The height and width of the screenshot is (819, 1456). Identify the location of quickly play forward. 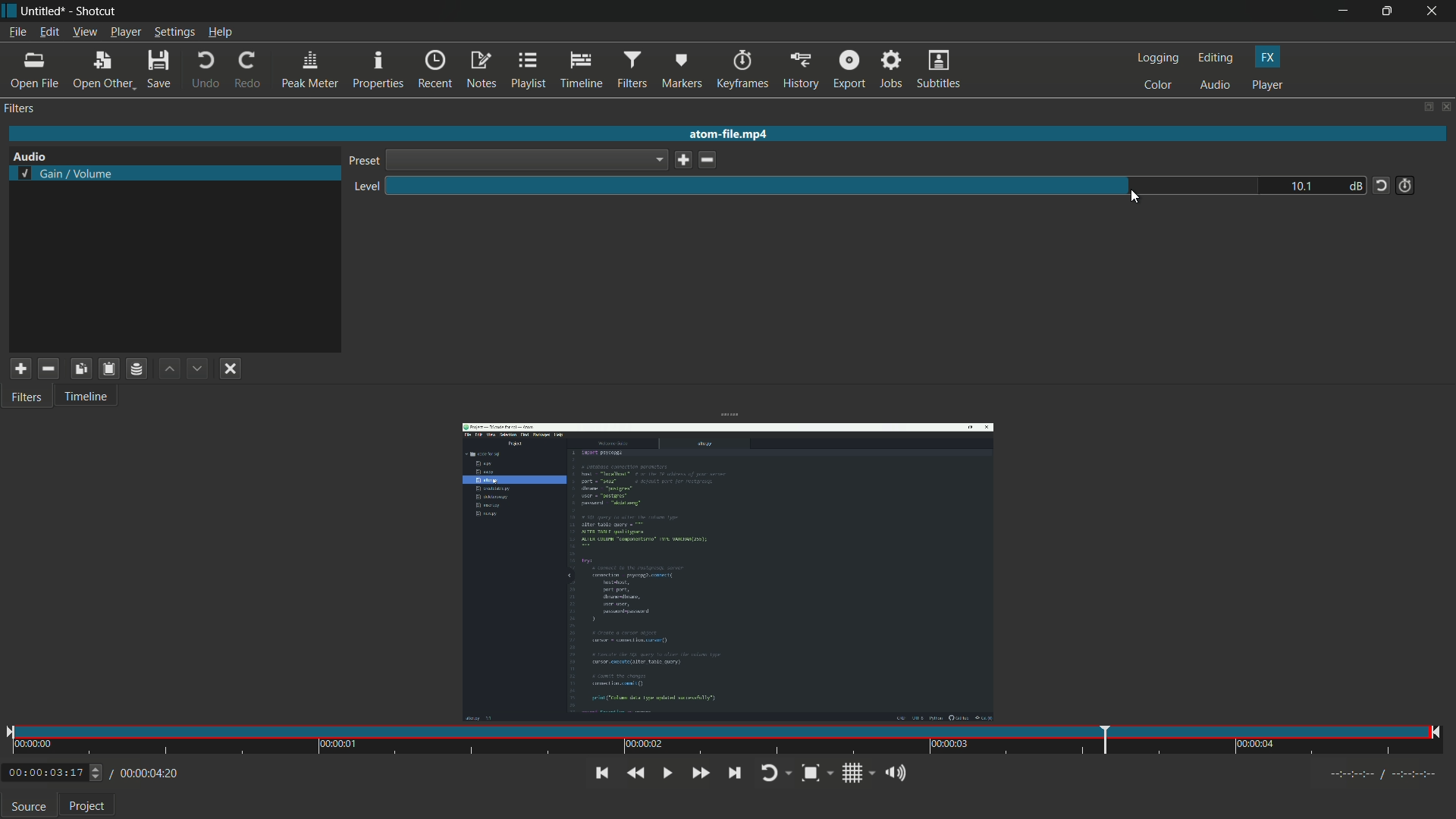
(702, 773).